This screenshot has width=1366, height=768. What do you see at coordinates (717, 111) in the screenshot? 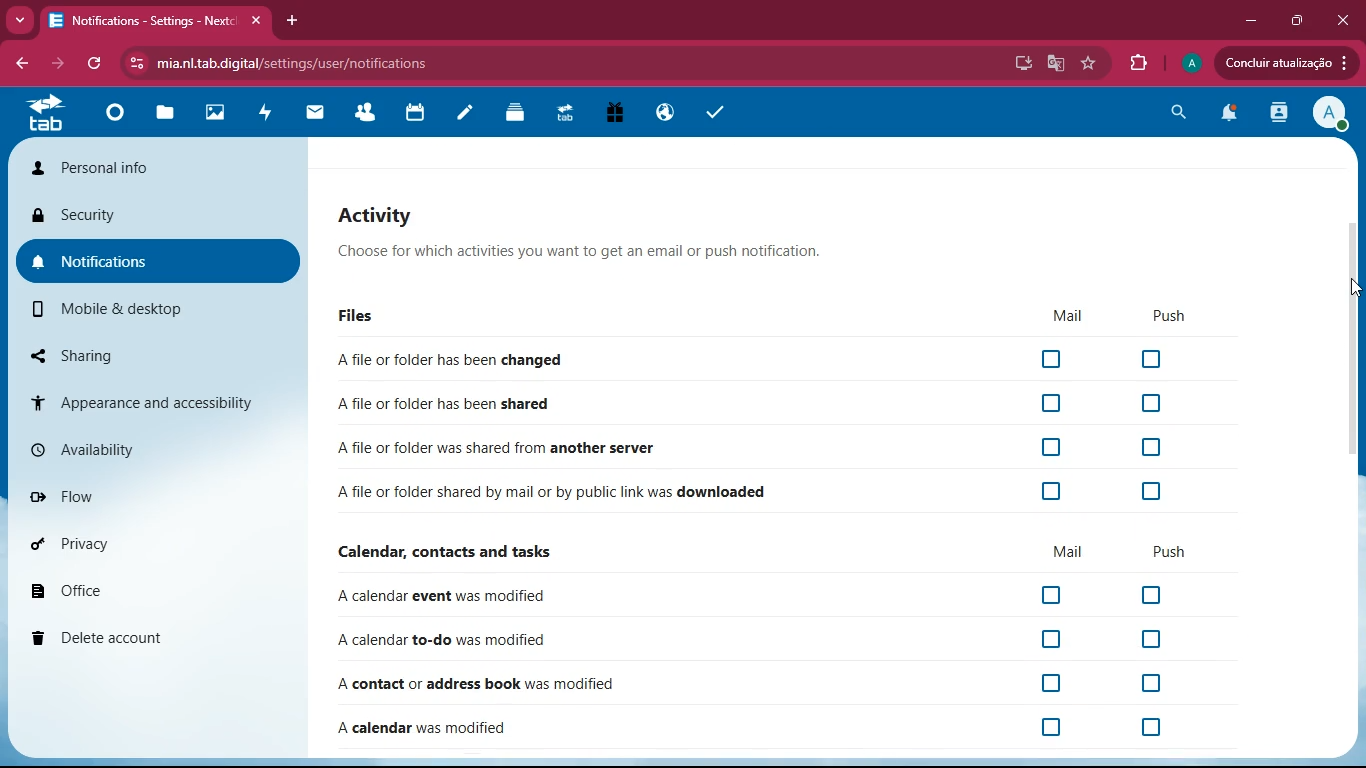
I see `tasks` at bounding box center [717, 111].